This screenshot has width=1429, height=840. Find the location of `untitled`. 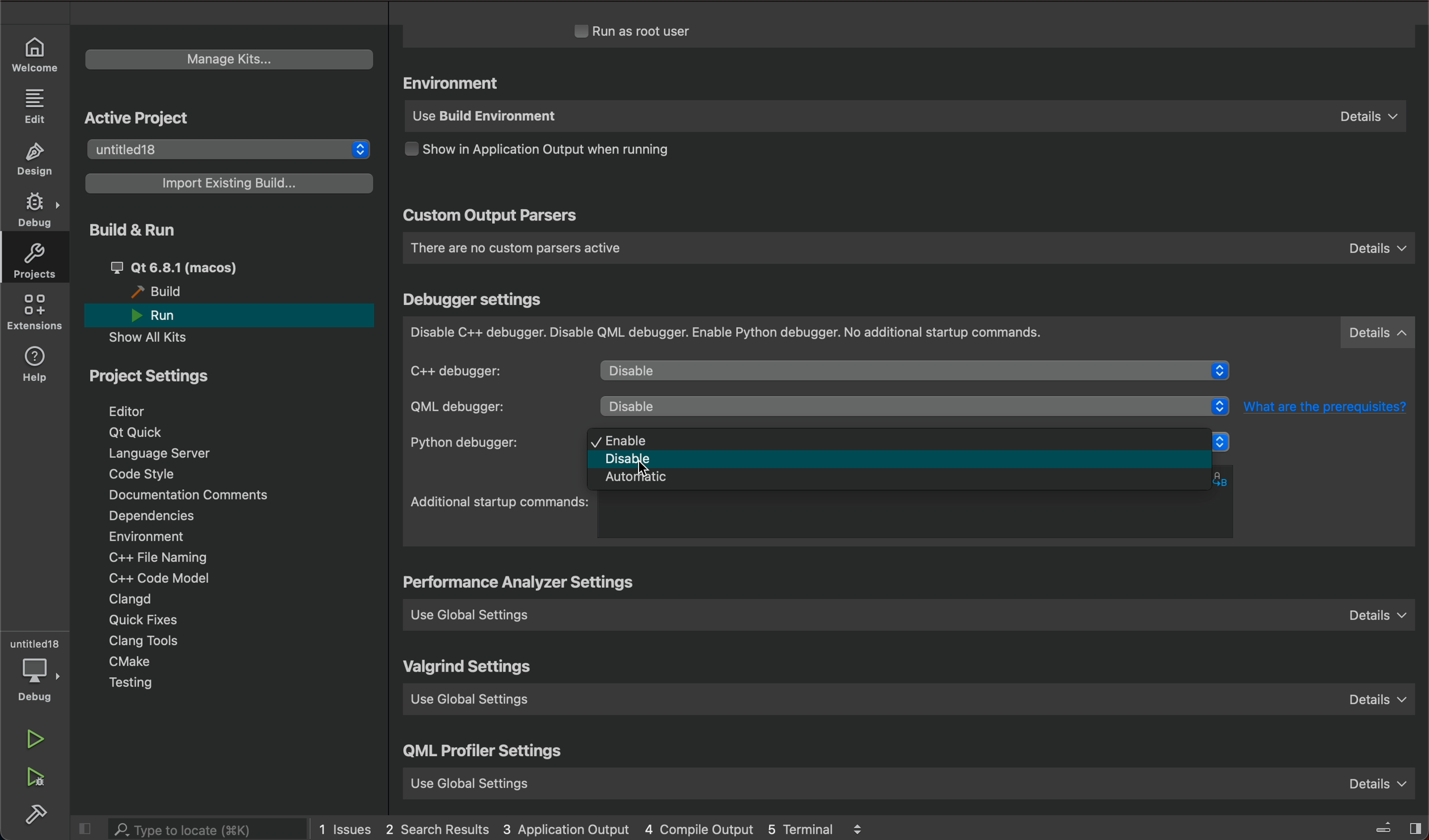

untitled is located at coordinates (225, 147).